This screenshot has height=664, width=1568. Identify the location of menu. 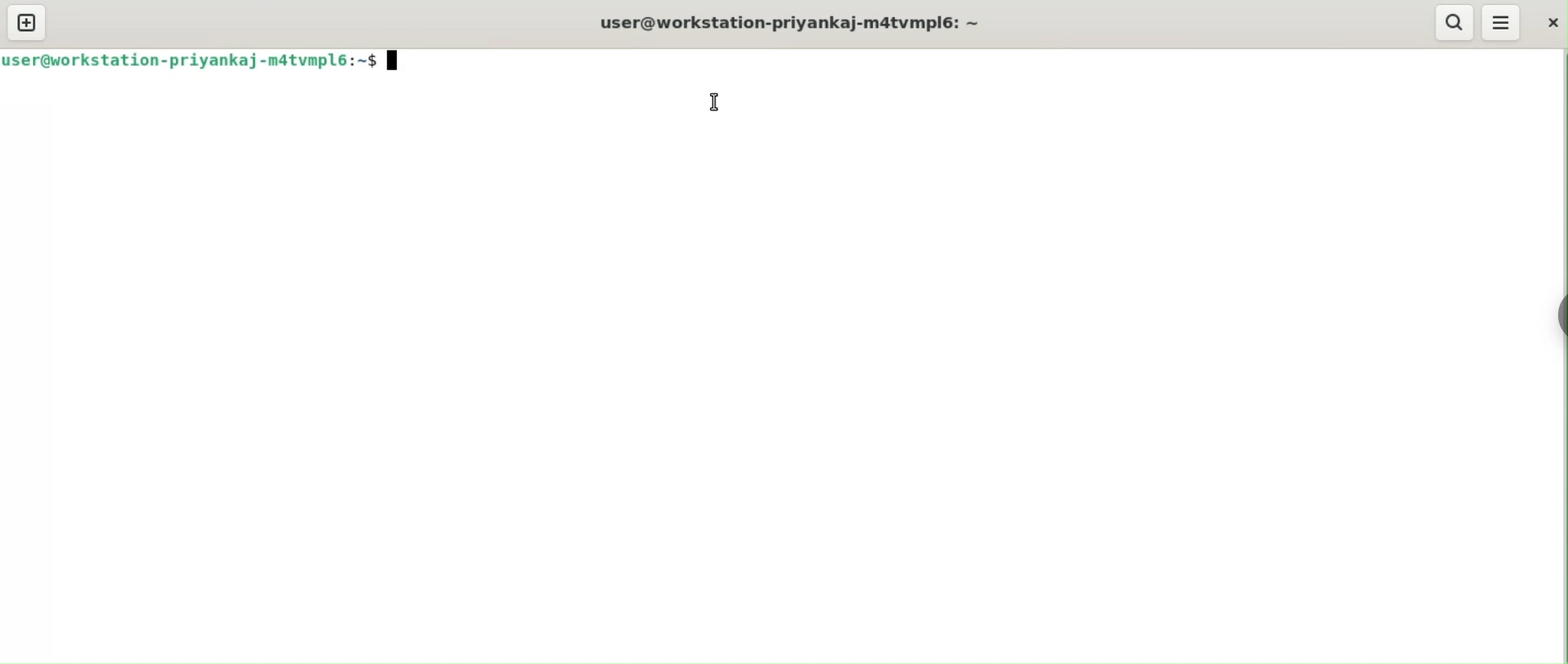
(1502, 22).